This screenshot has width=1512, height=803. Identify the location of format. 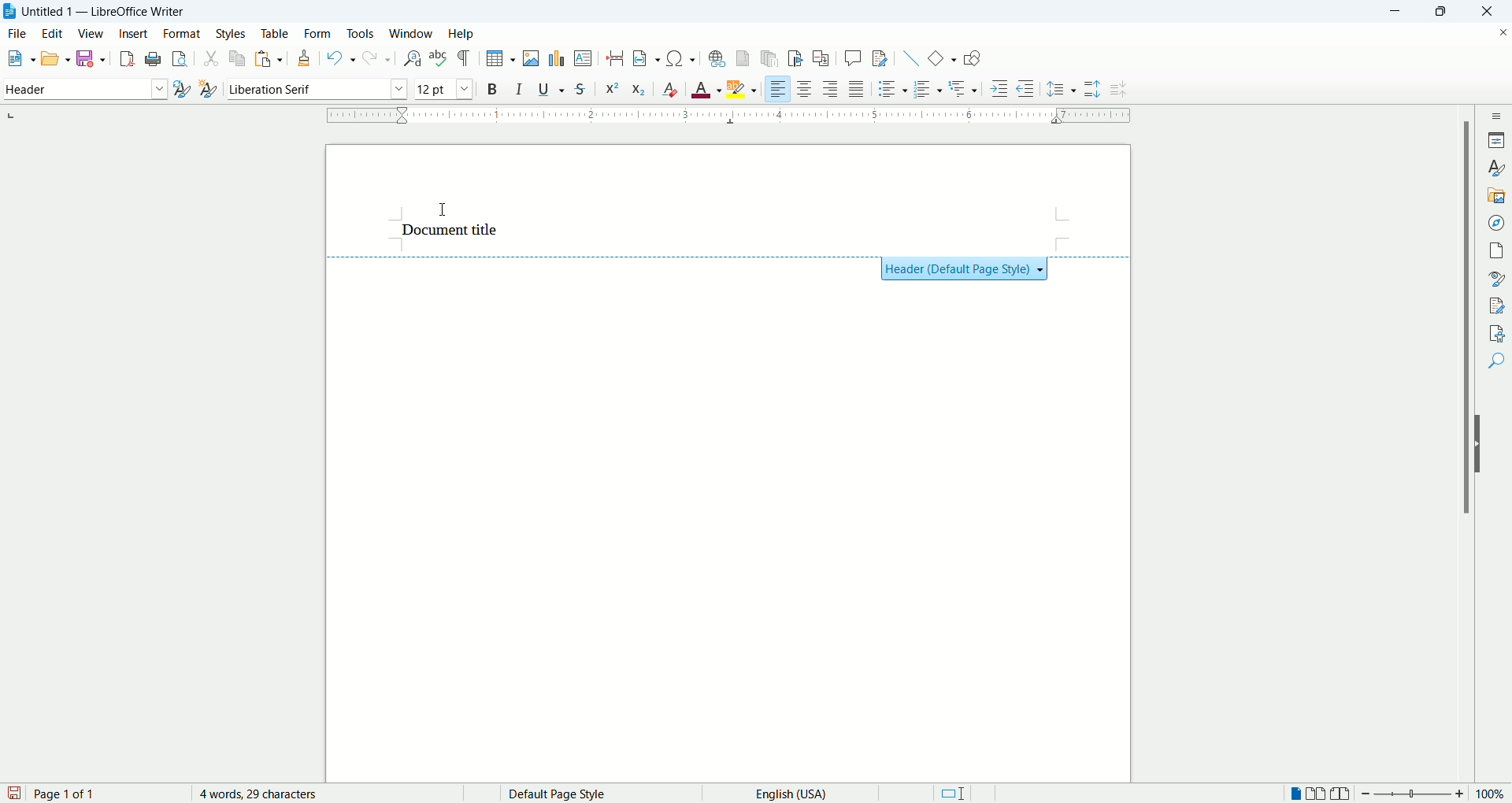
(180, 34).